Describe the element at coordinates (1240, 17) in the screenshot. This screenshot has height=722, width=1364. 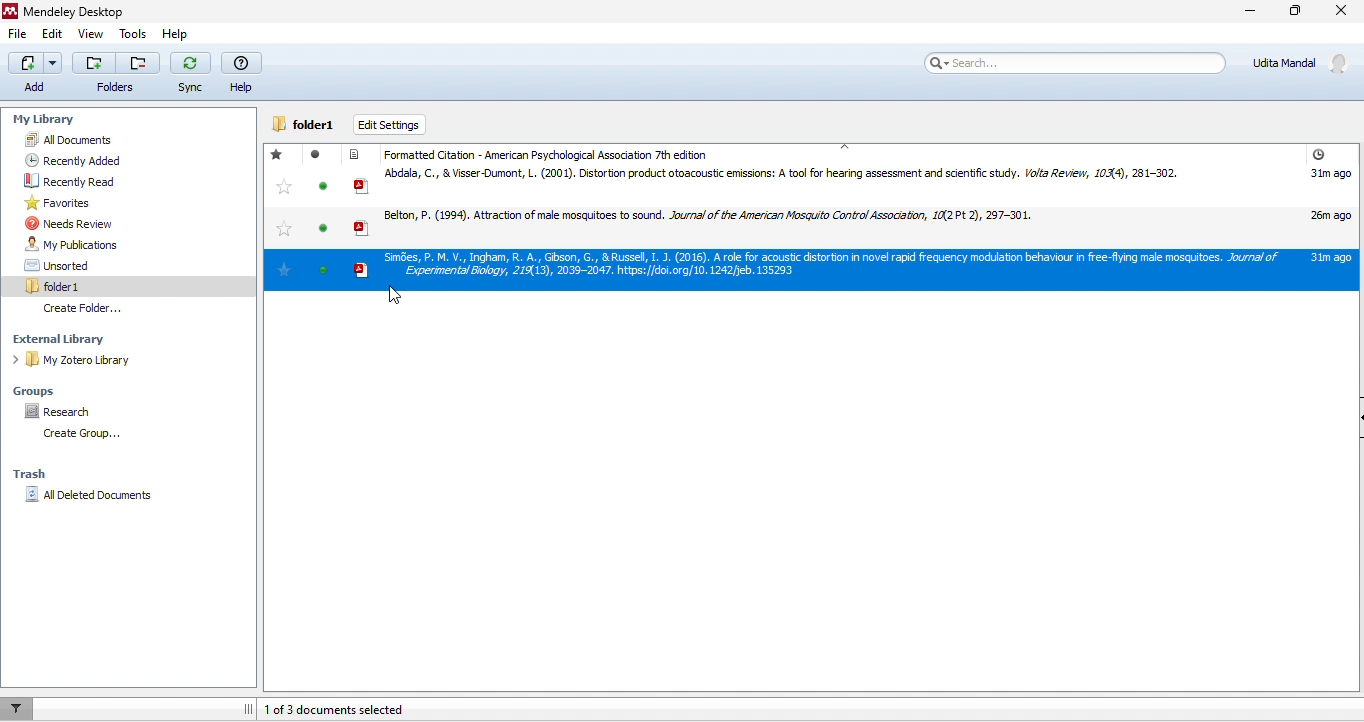
I see `minimize` at that location.